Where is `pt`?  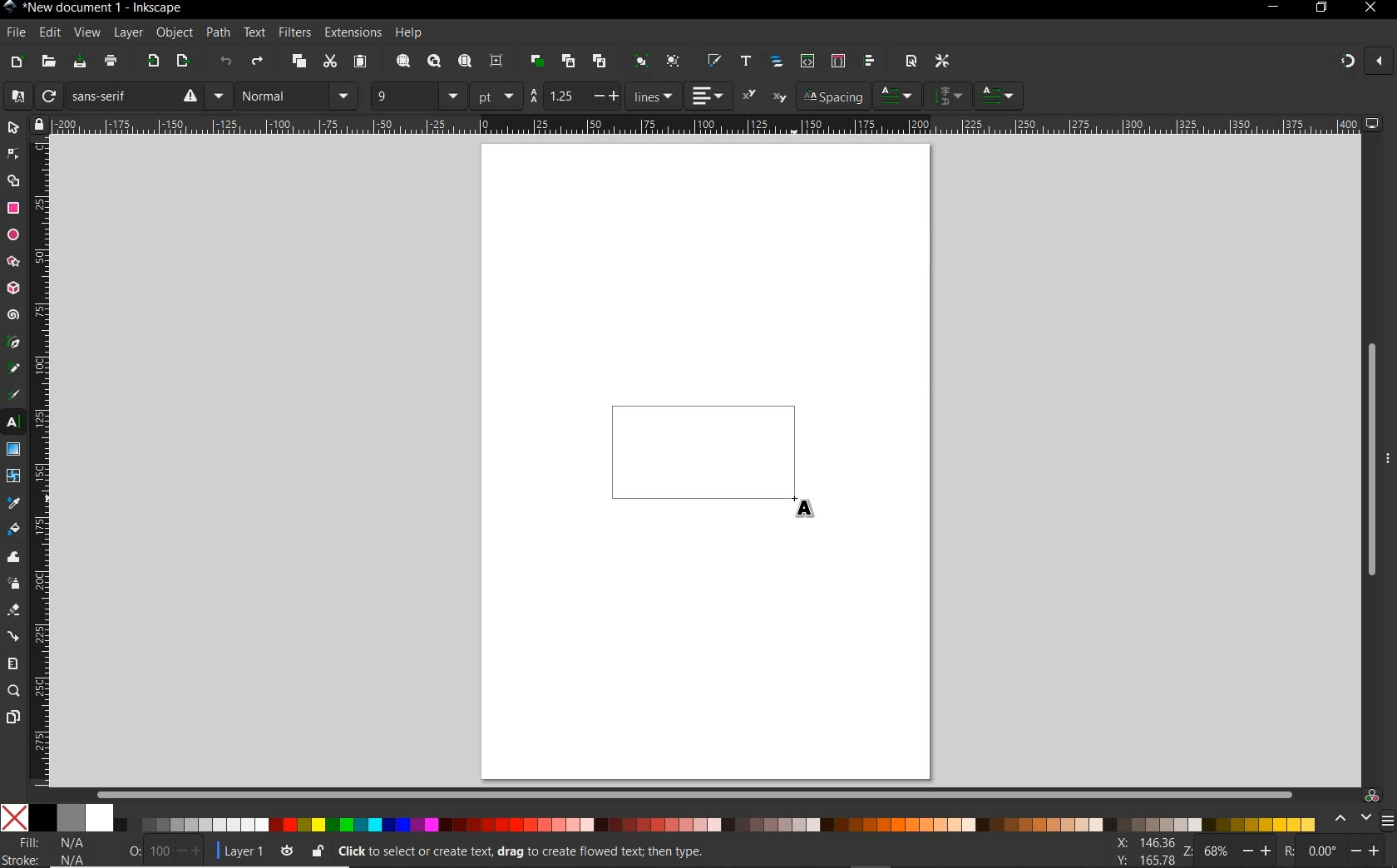
pt is located at coordinates (496, 96).